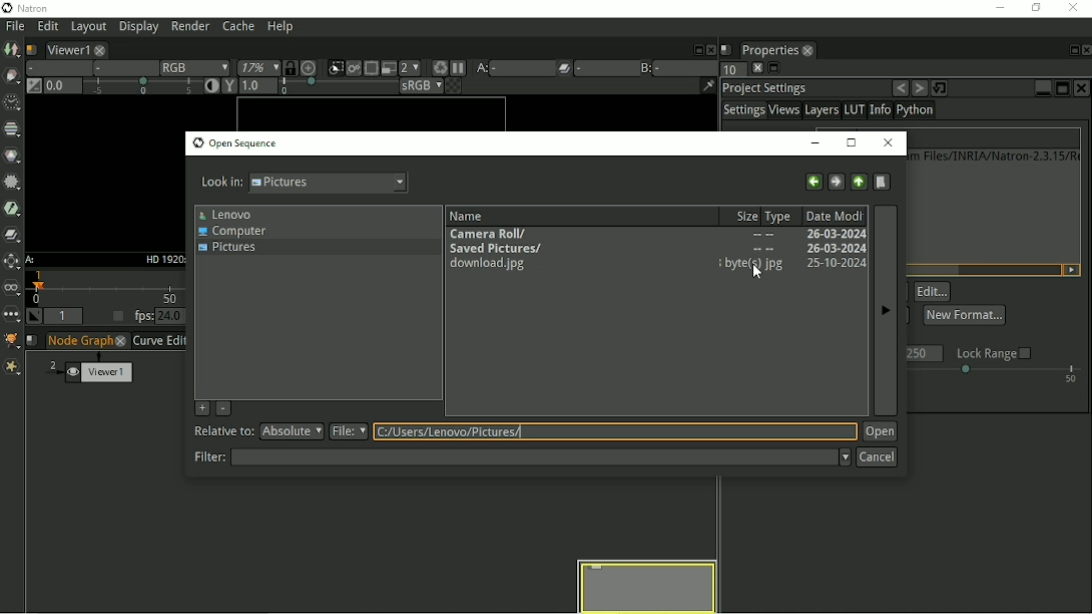 The image size is (1092, 614). Describe the element at coordinates (1062, 88) in the screenshot. I see `Maximize` at that location.